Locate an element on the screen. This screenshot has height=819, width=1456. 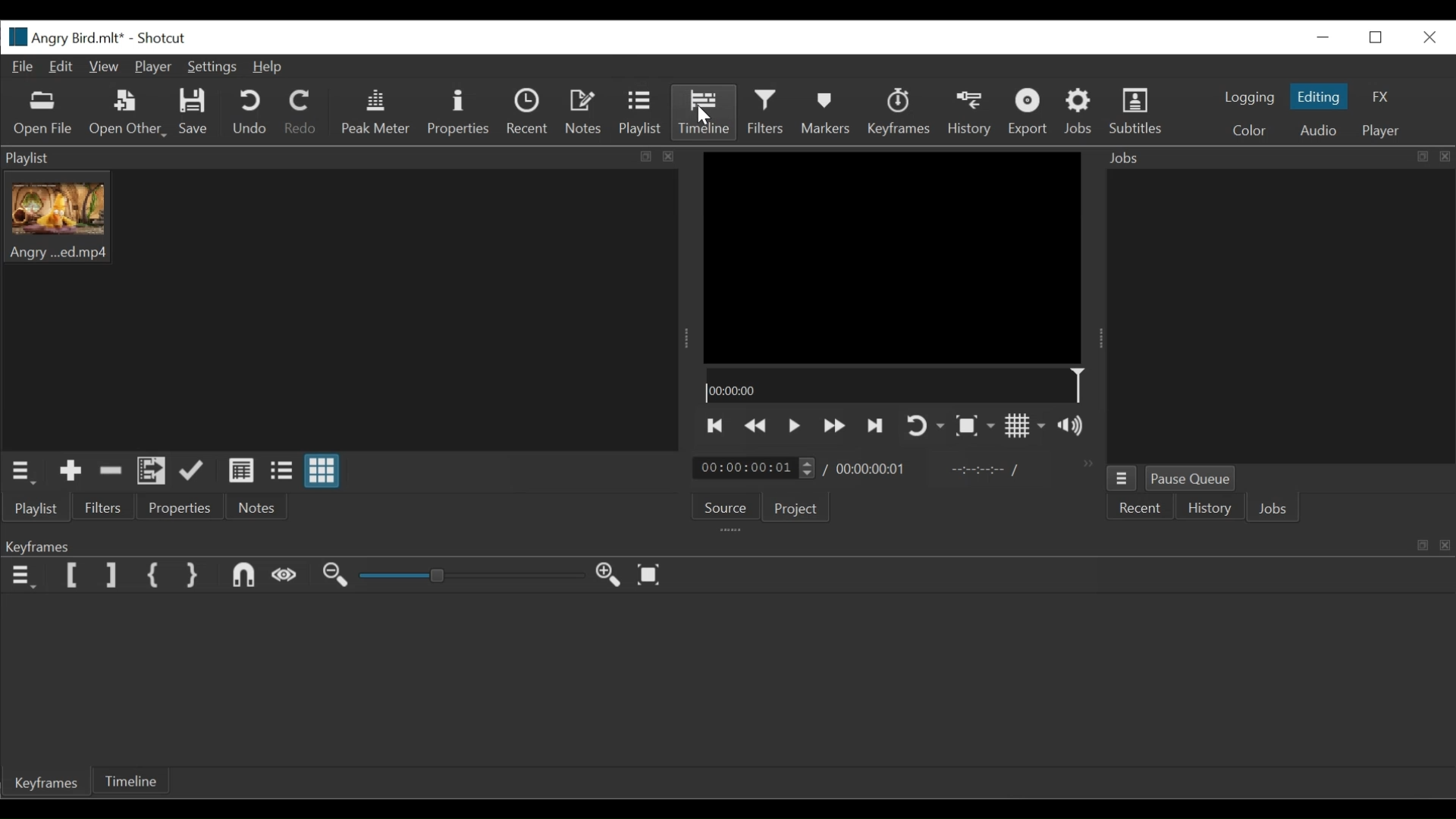
Add files to the playlist is located at coordinates (152, 472).